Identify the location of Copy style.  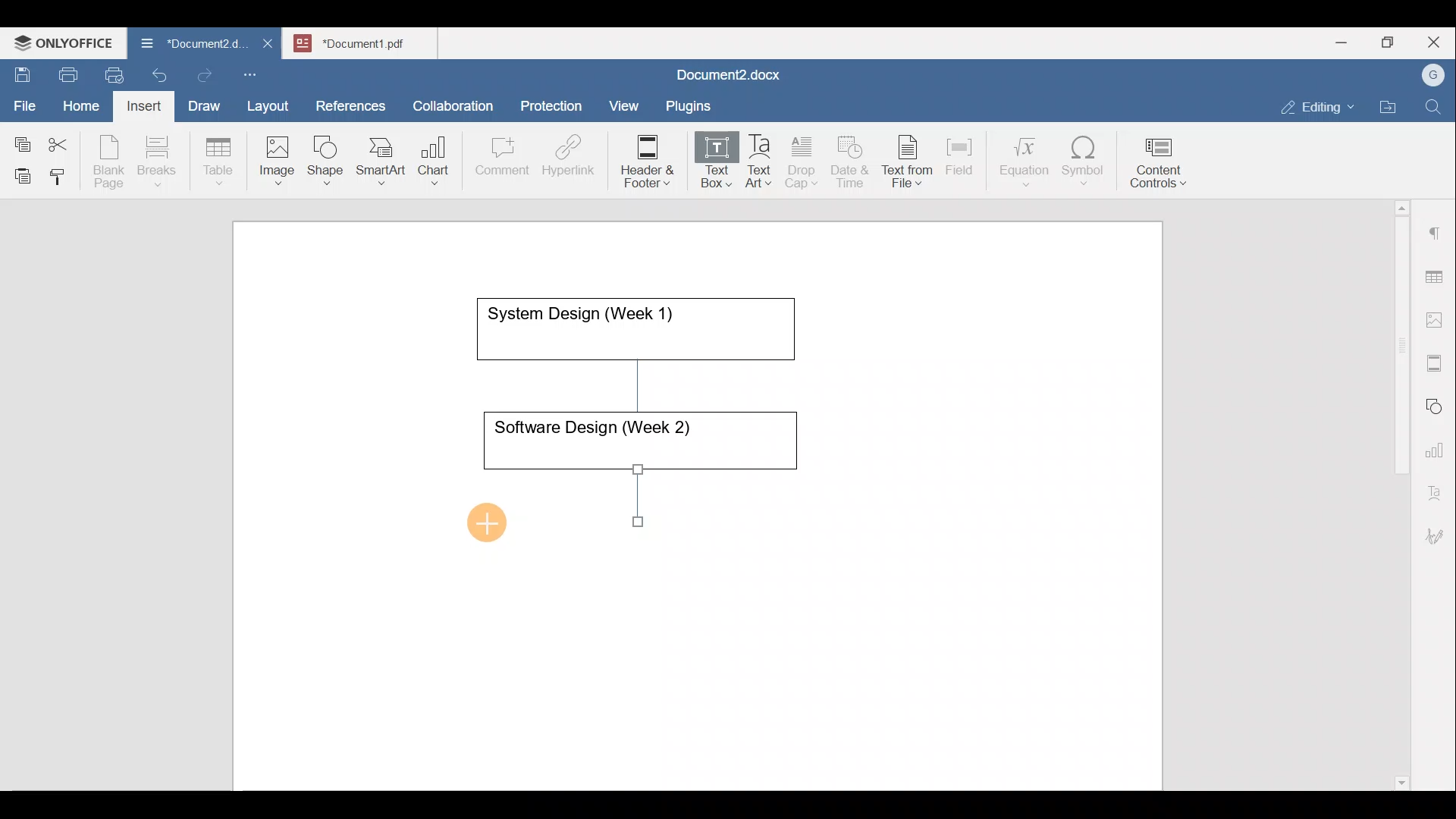
(63, 173).